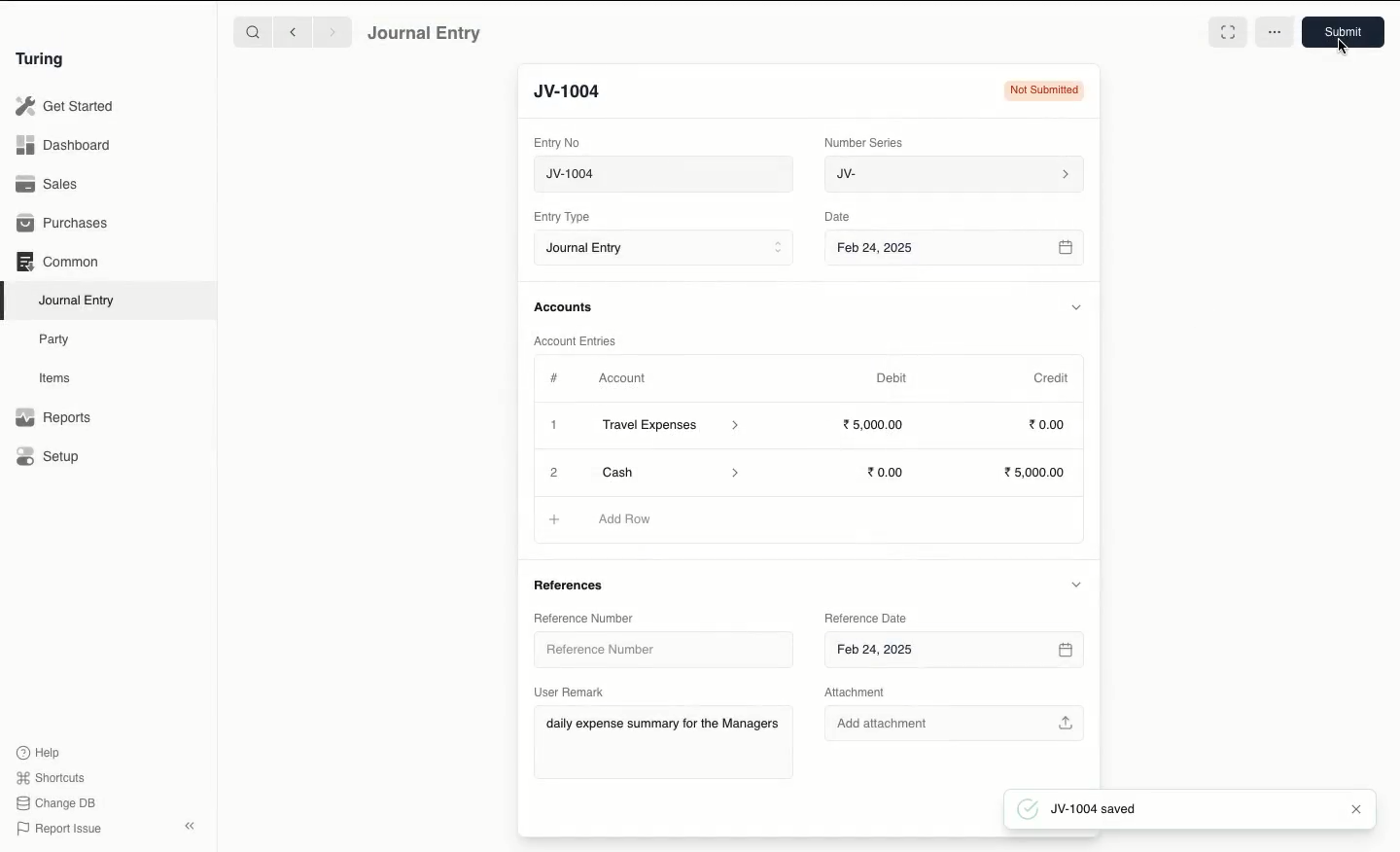  What do you see at coordinates (865, 620) in the screenshot?
I see `Reference Date` at bounding box center [865, 620].